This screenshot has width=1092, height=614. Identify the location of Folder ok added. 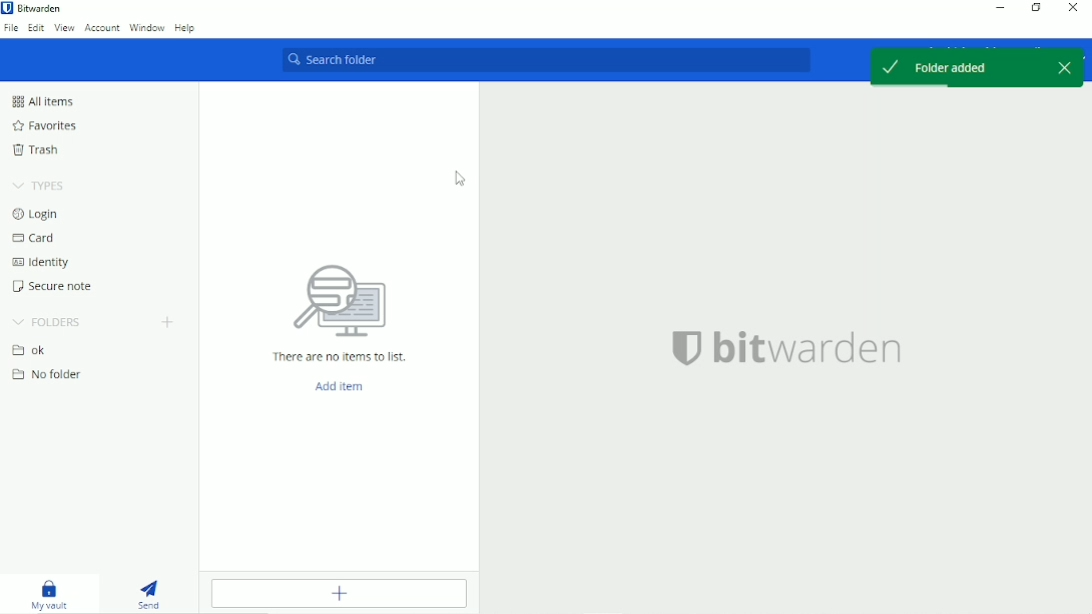
(27, 351).